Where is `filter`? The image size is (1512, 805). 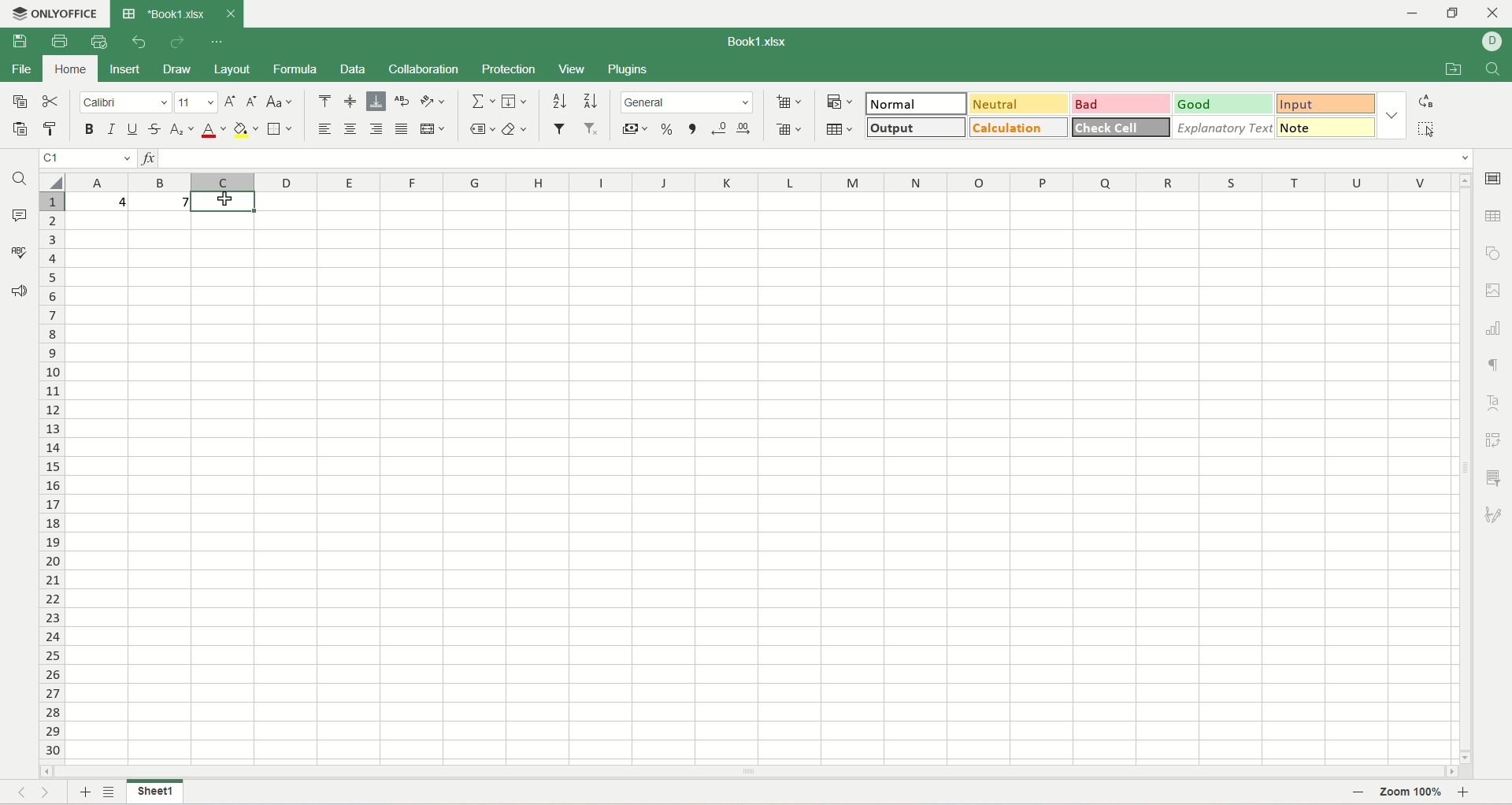
filter is located at coordinates (560, 129).